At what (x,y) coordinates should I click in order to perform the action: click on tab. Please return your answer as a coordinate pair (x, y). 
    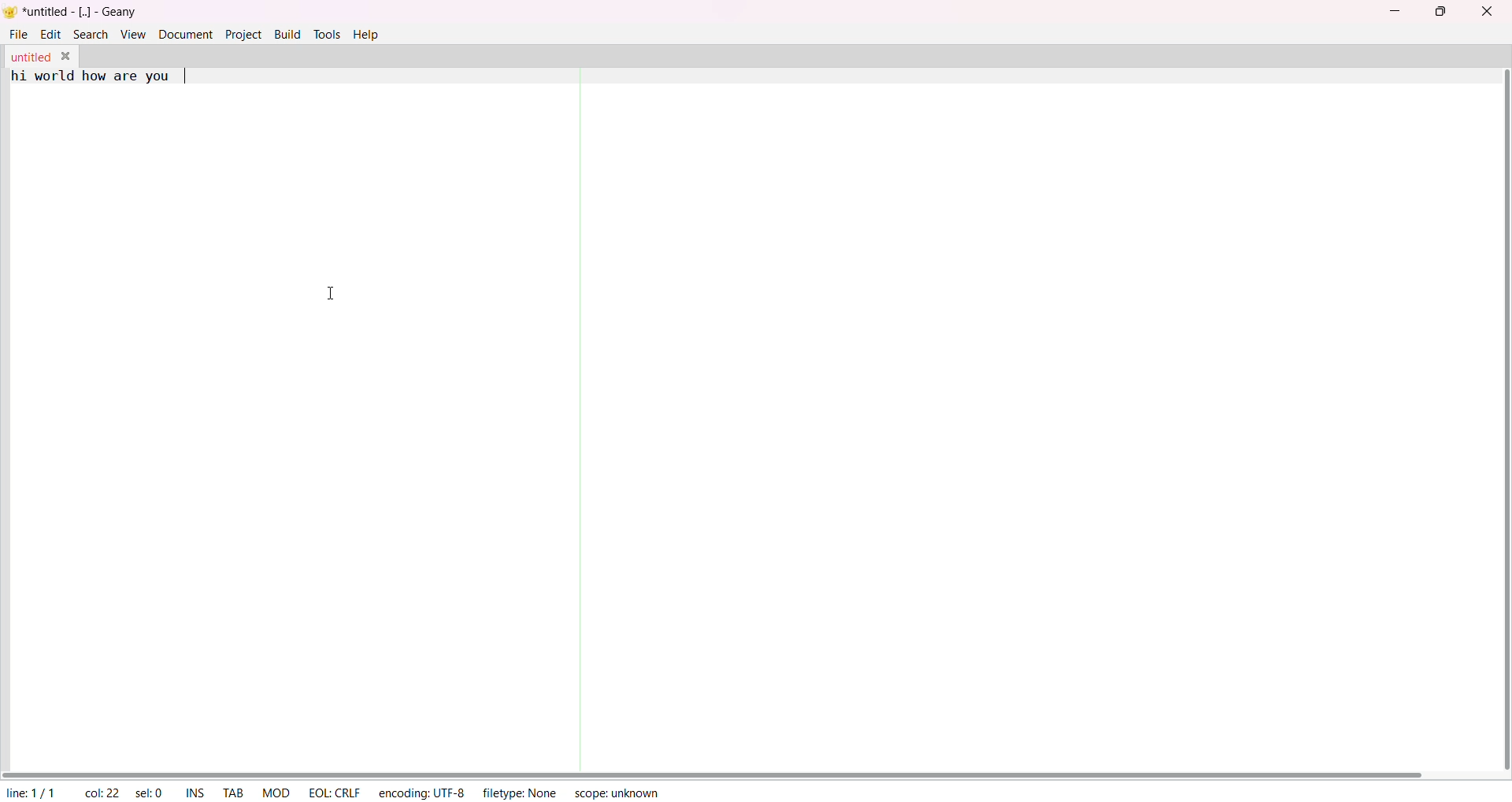
    Looking at the image, I should click on (234, 791).